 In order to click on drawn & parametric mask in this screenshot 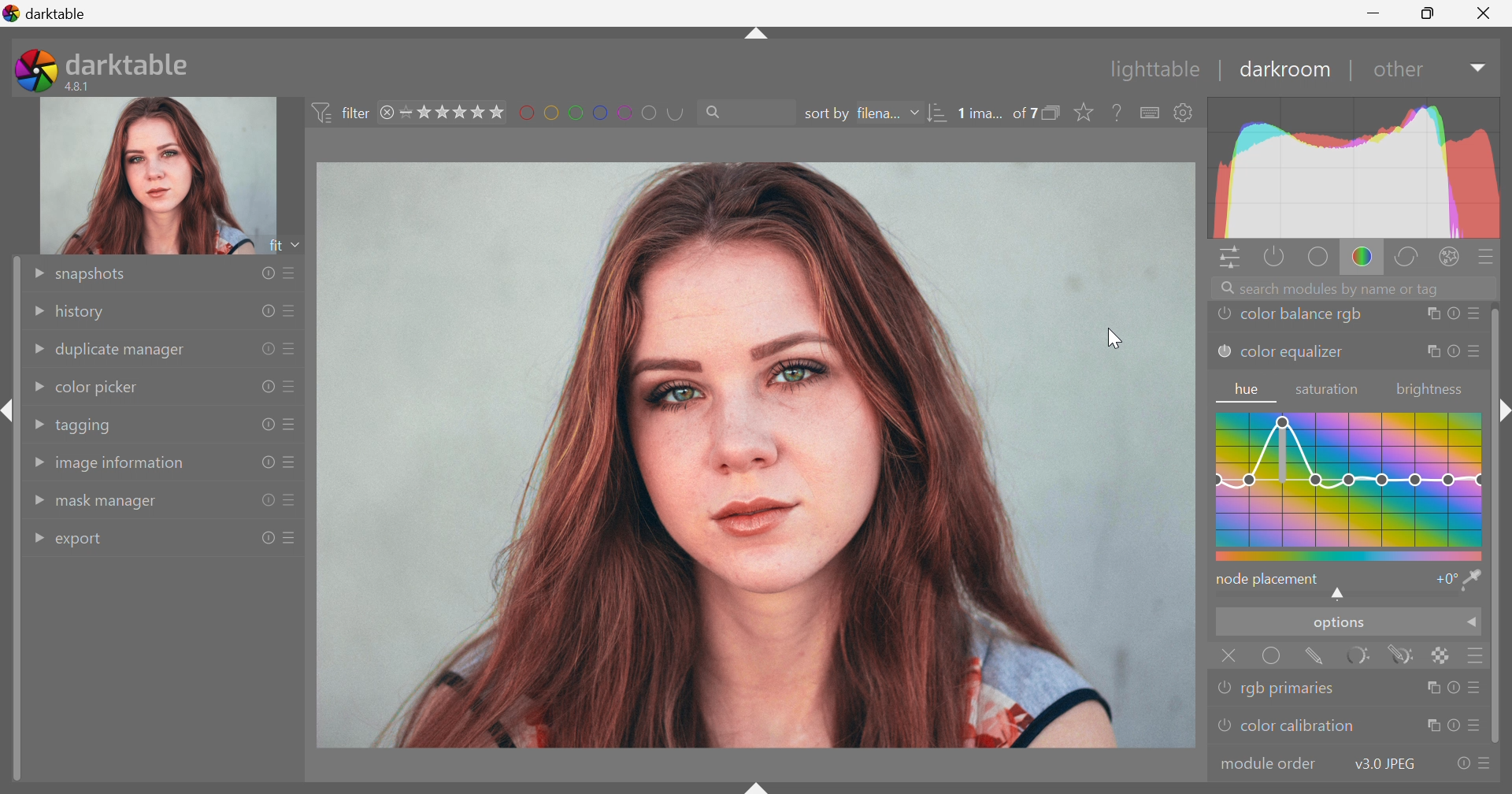, I will do `click(1406, 656)`.